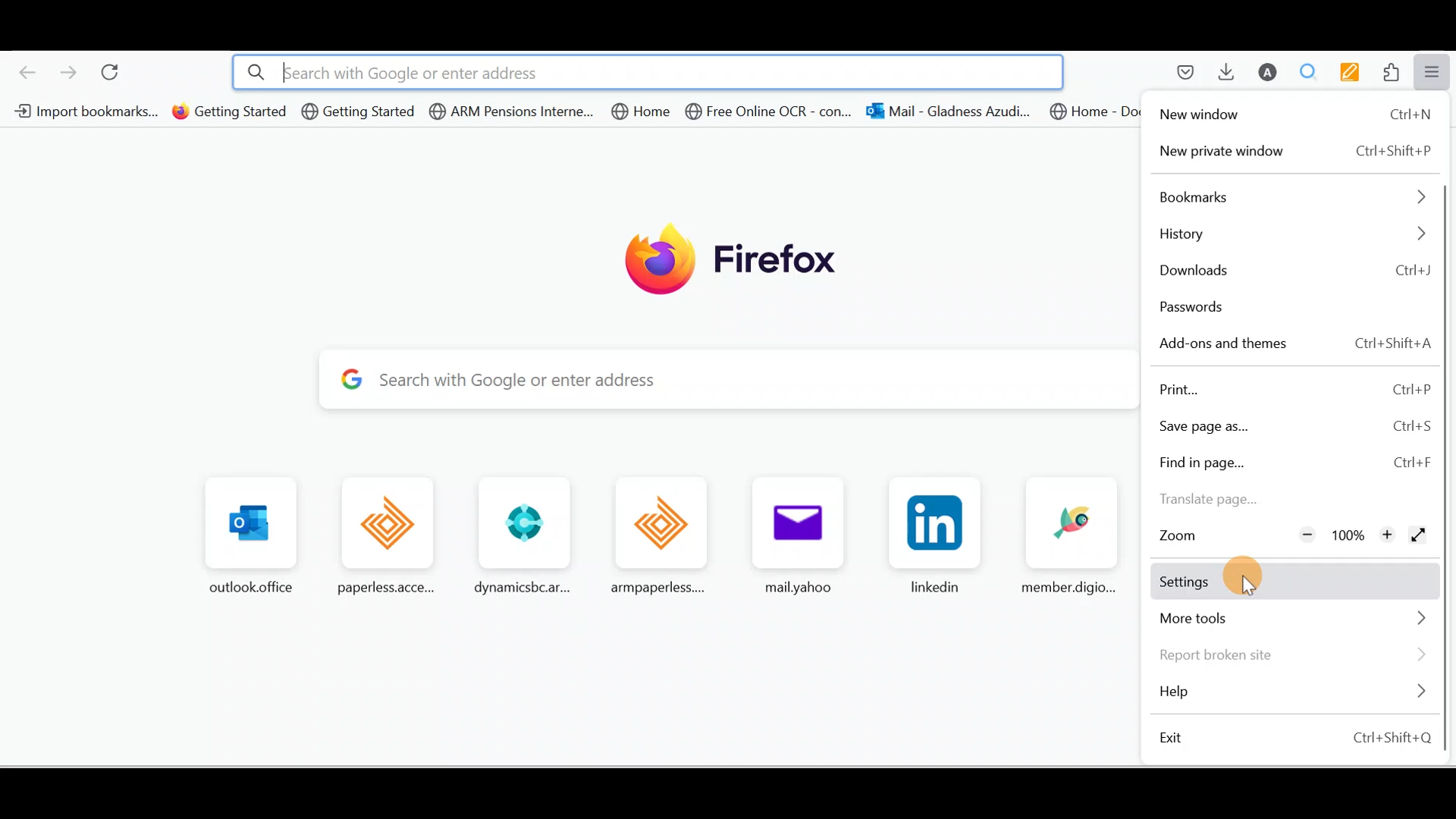 Image resolution: width=1456 pixels, height=819 pixels. I want to click on Go back one page, so click(22, 73).